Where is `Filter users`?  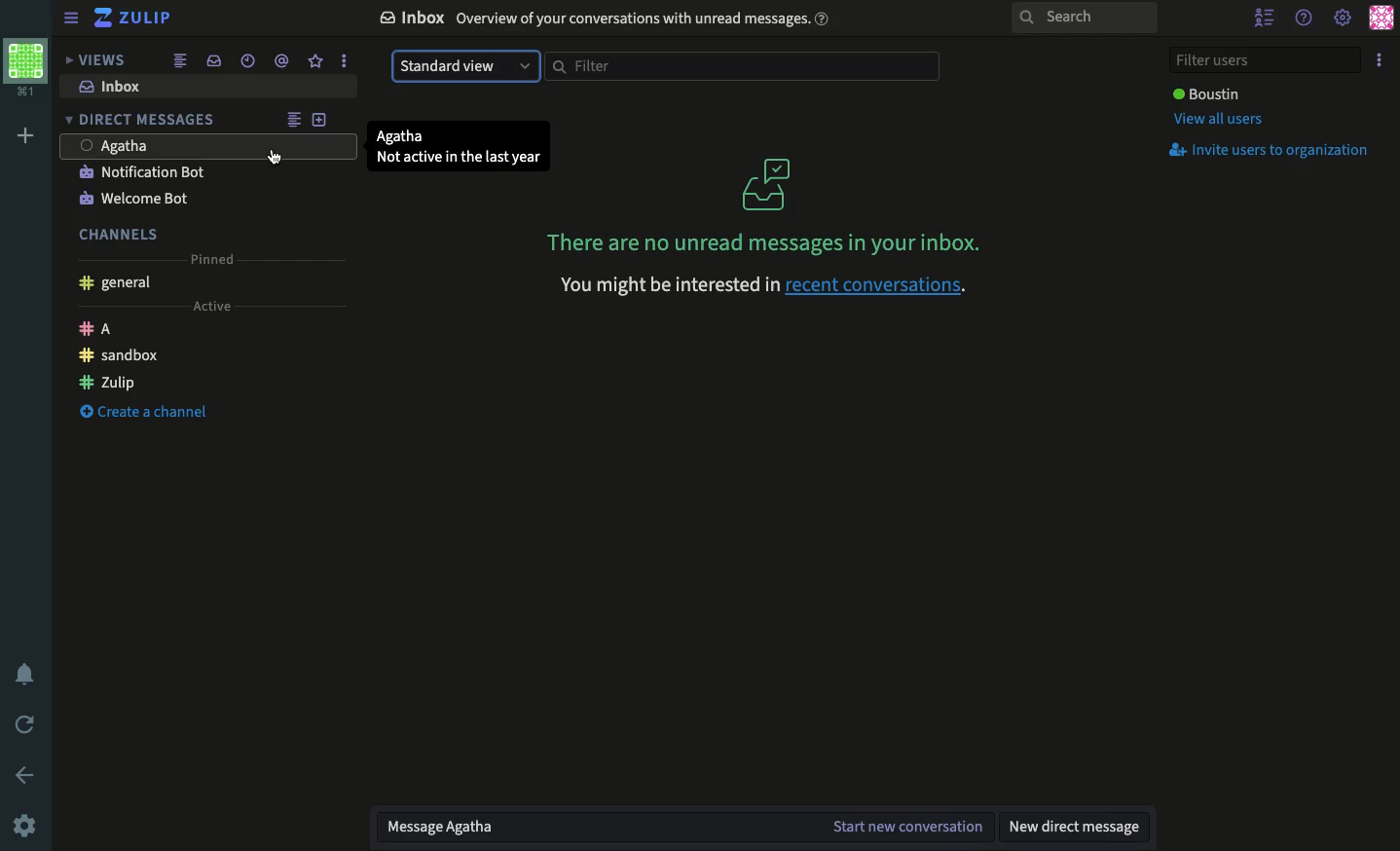 Filter users is located at coordinates (1266, 61).